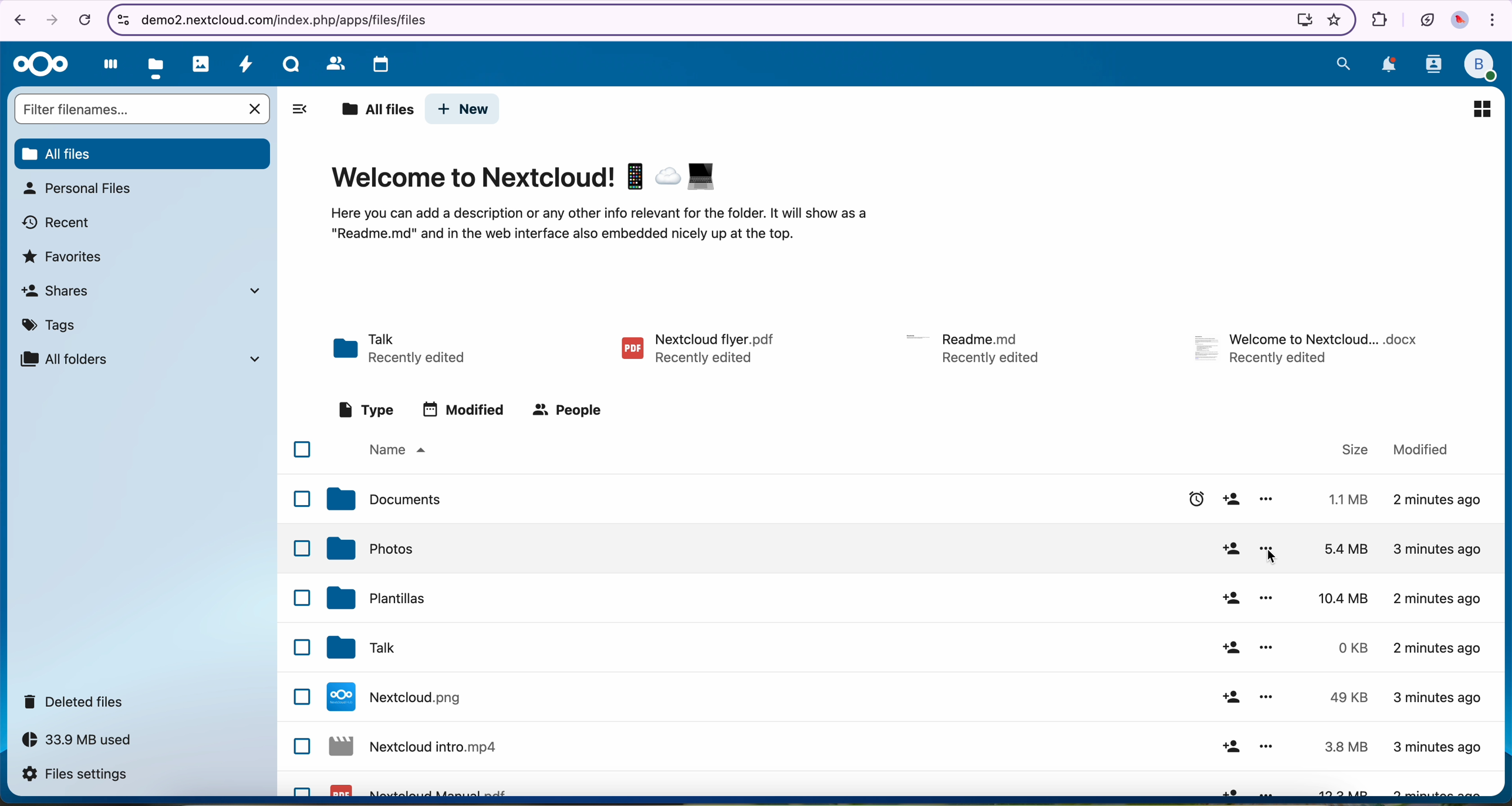 Image resolution: width=1512 pixels, height=806 pixels. I want to click on Talk folder, so click(404, 347).